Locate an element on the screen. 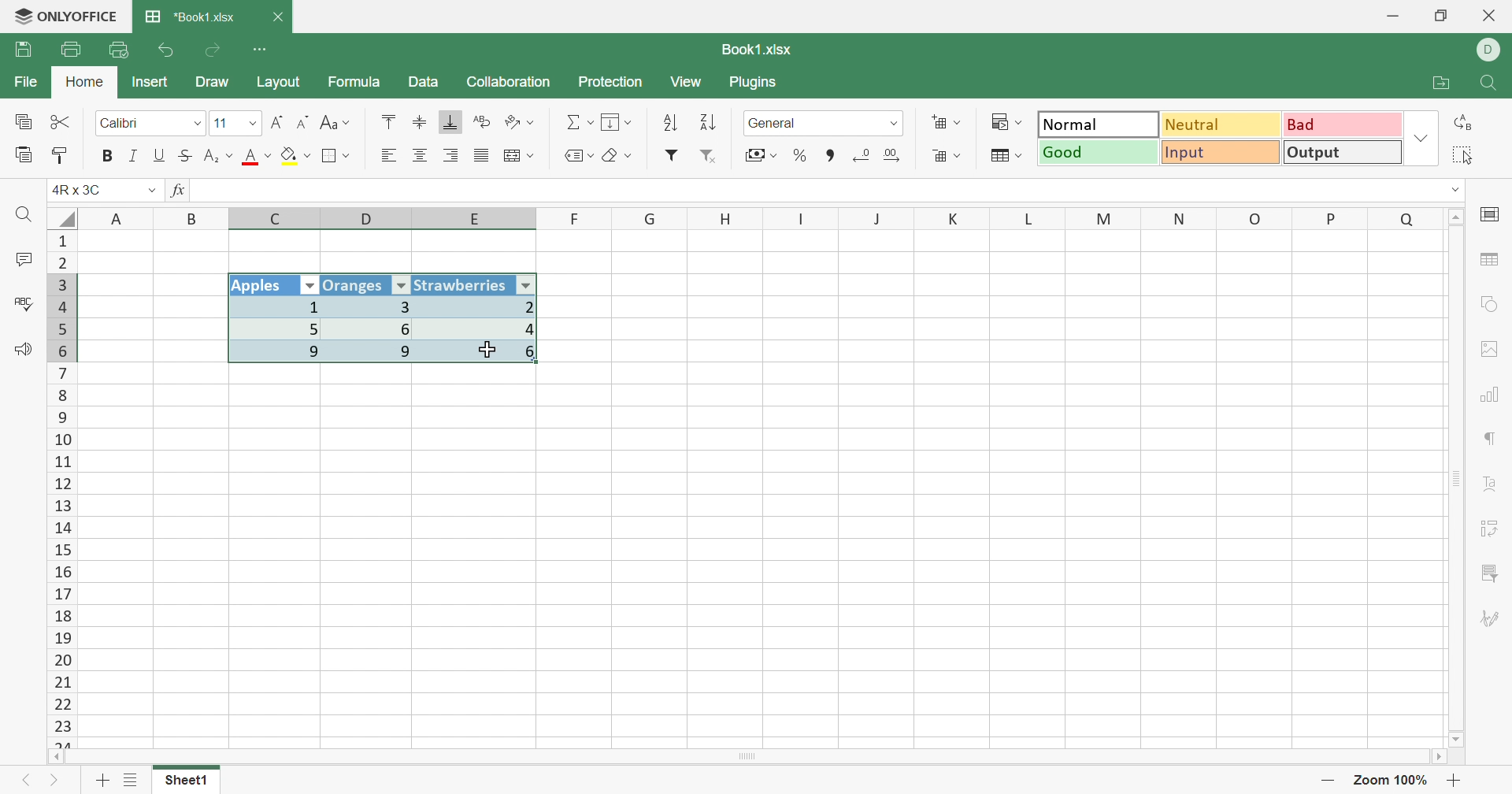  Align Bottom is located at coordinates (451, 122).